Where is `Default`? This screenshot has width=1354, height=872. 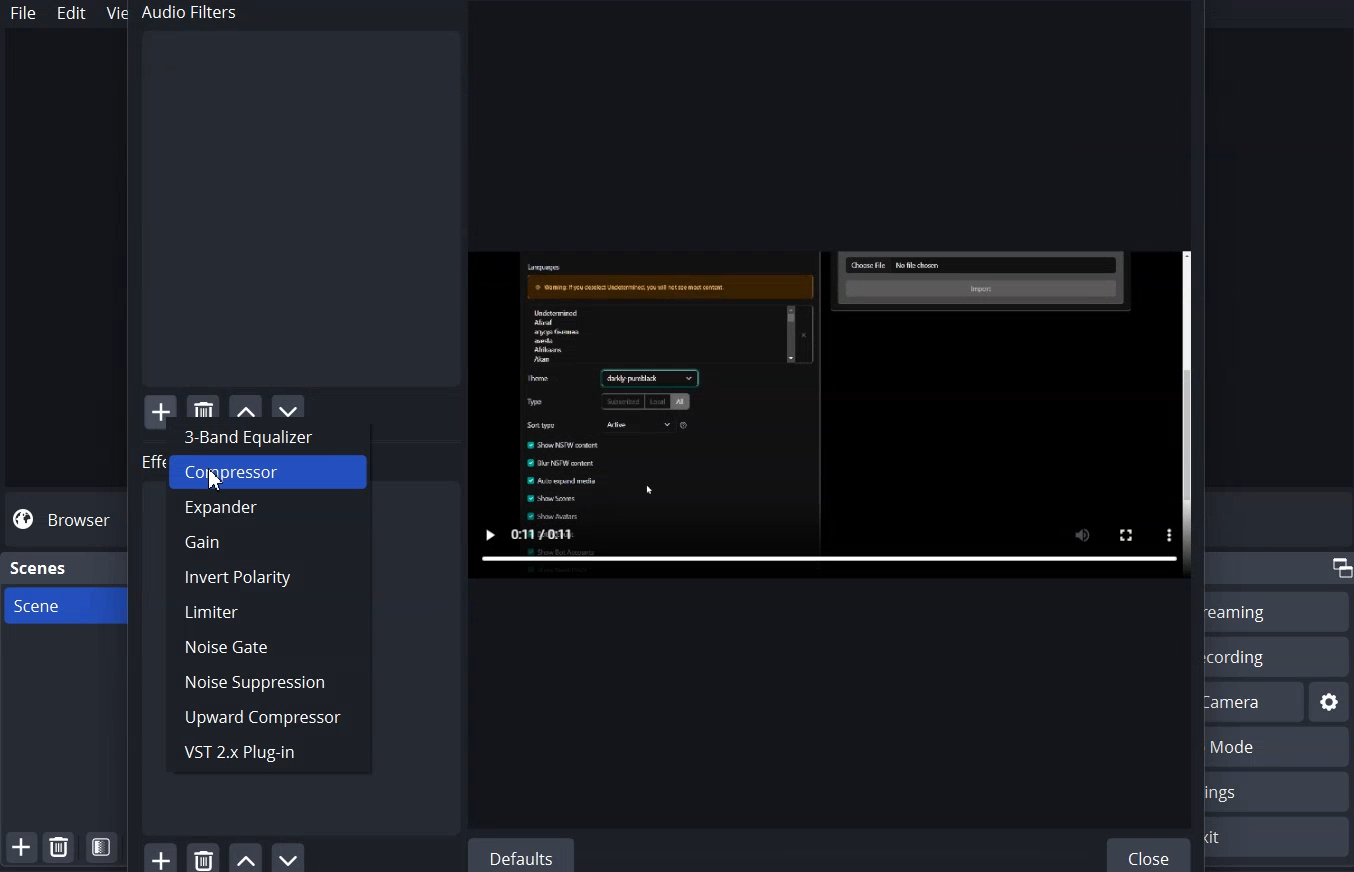 Default is located at coordinates (520, 855).